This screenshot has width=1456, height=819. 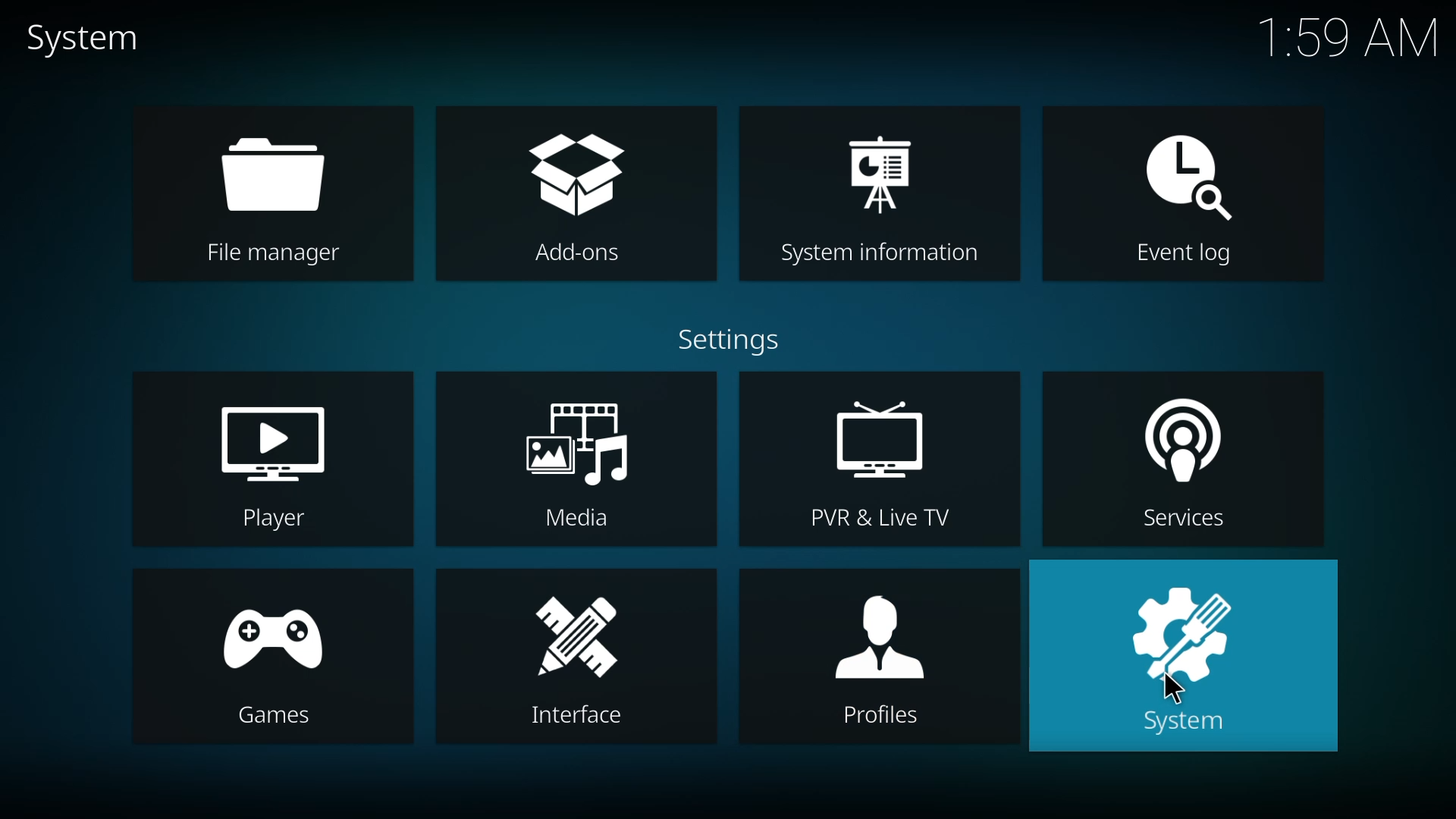 I want to click on profiles, so click(x=877, y=663).